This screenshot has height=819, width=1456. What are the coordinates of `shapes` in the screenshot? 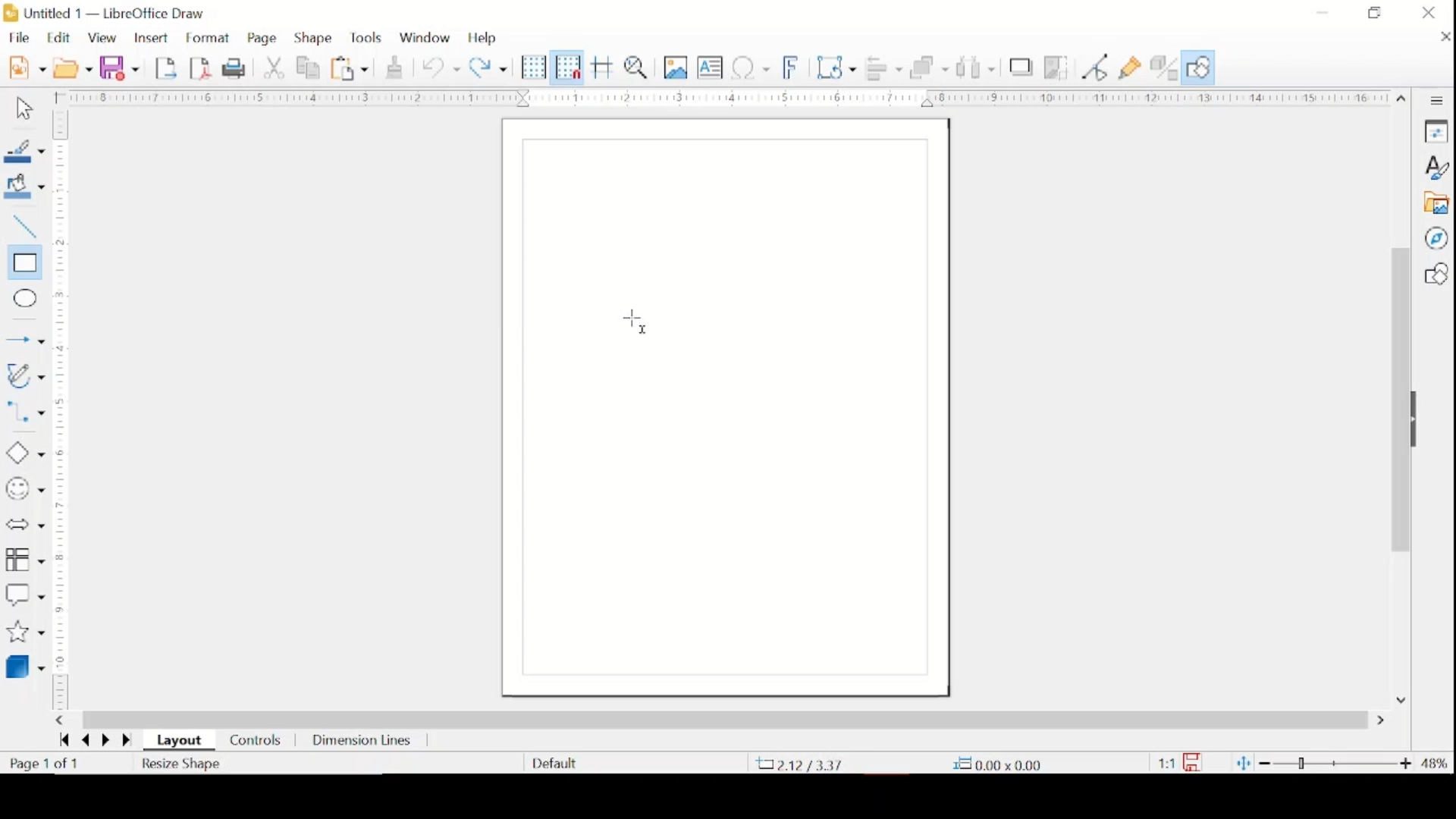 It's located at (1436, 274).